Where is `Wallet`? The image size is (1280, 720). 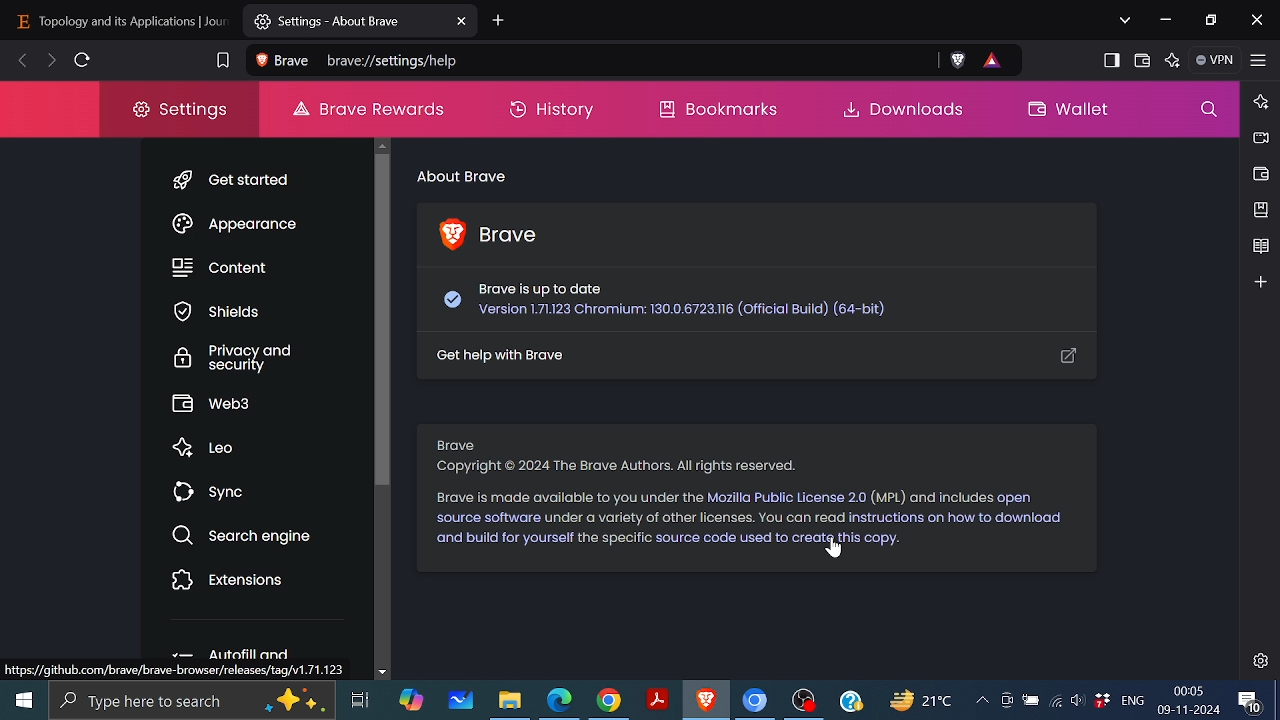
Wallet is located at coordinates (1146, 60).